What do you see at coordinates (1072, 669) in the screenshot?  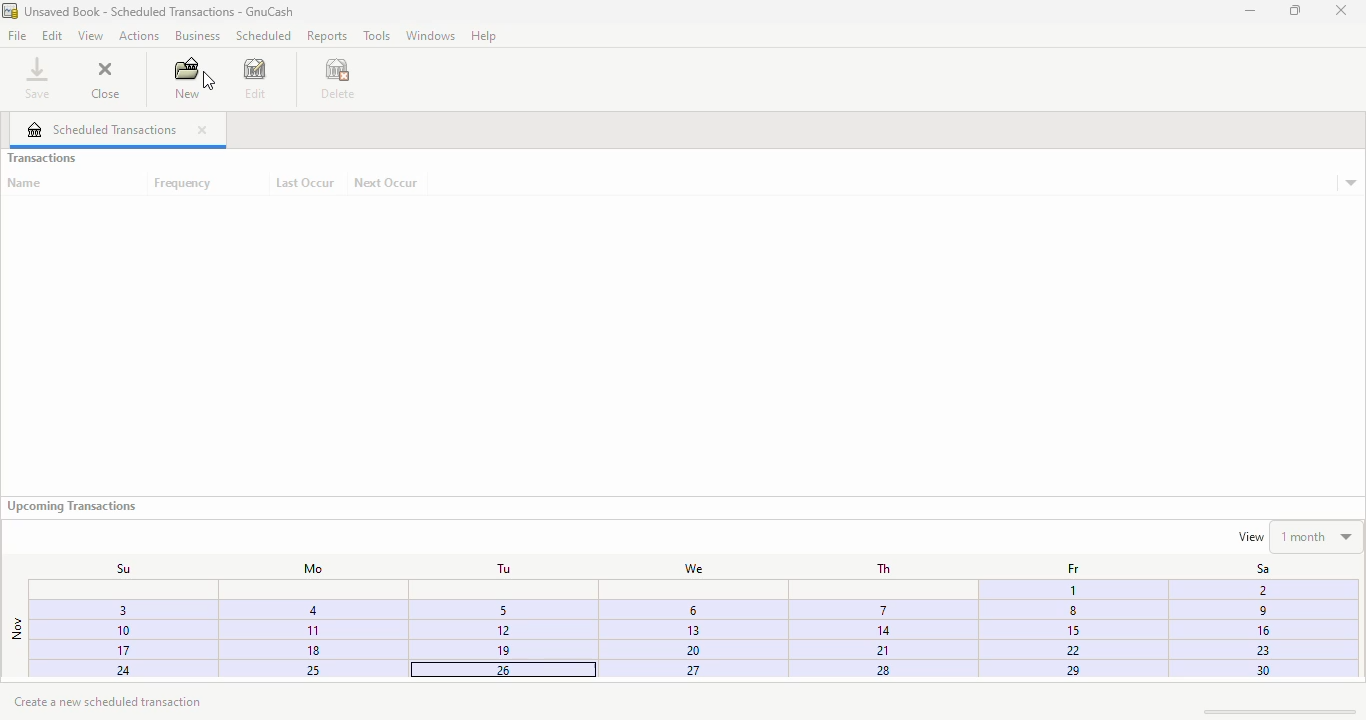 I see `29` at bounding box center [1072, 669].